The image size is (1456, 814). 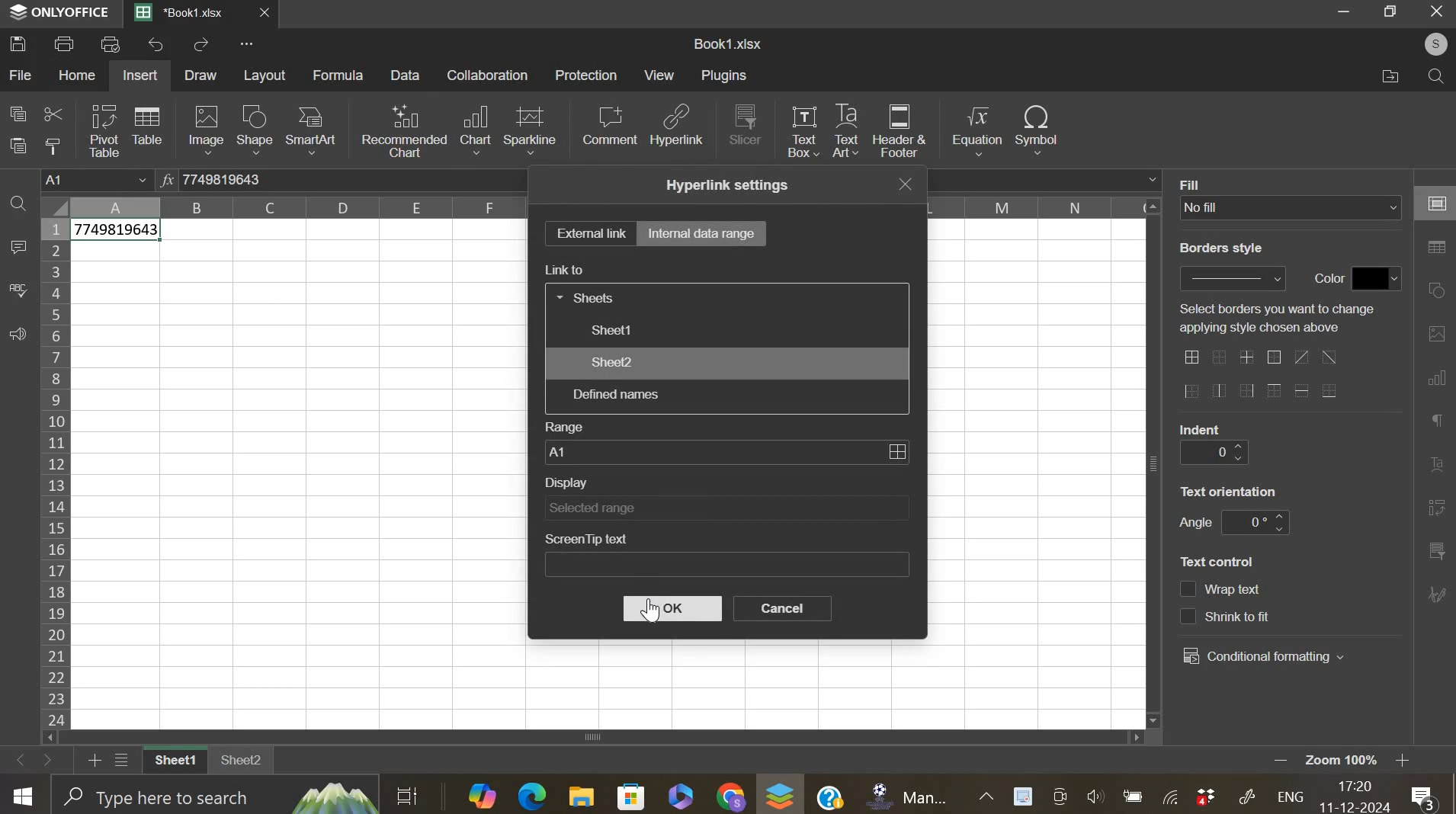 I want to click on equation, so click(x=976, y=131).